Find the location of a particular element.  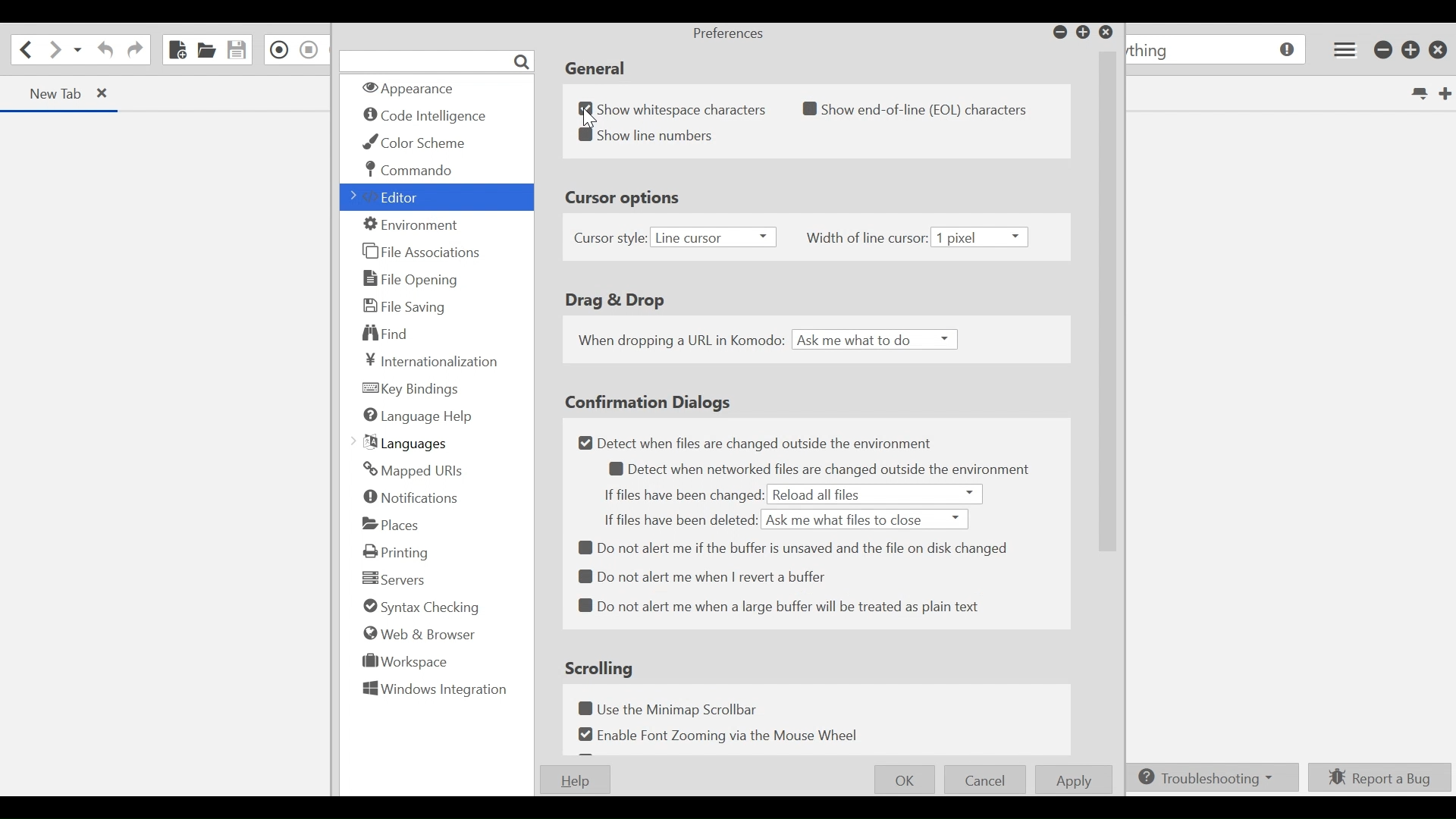

Troubleshooting is located at coordinates (1208, 778).